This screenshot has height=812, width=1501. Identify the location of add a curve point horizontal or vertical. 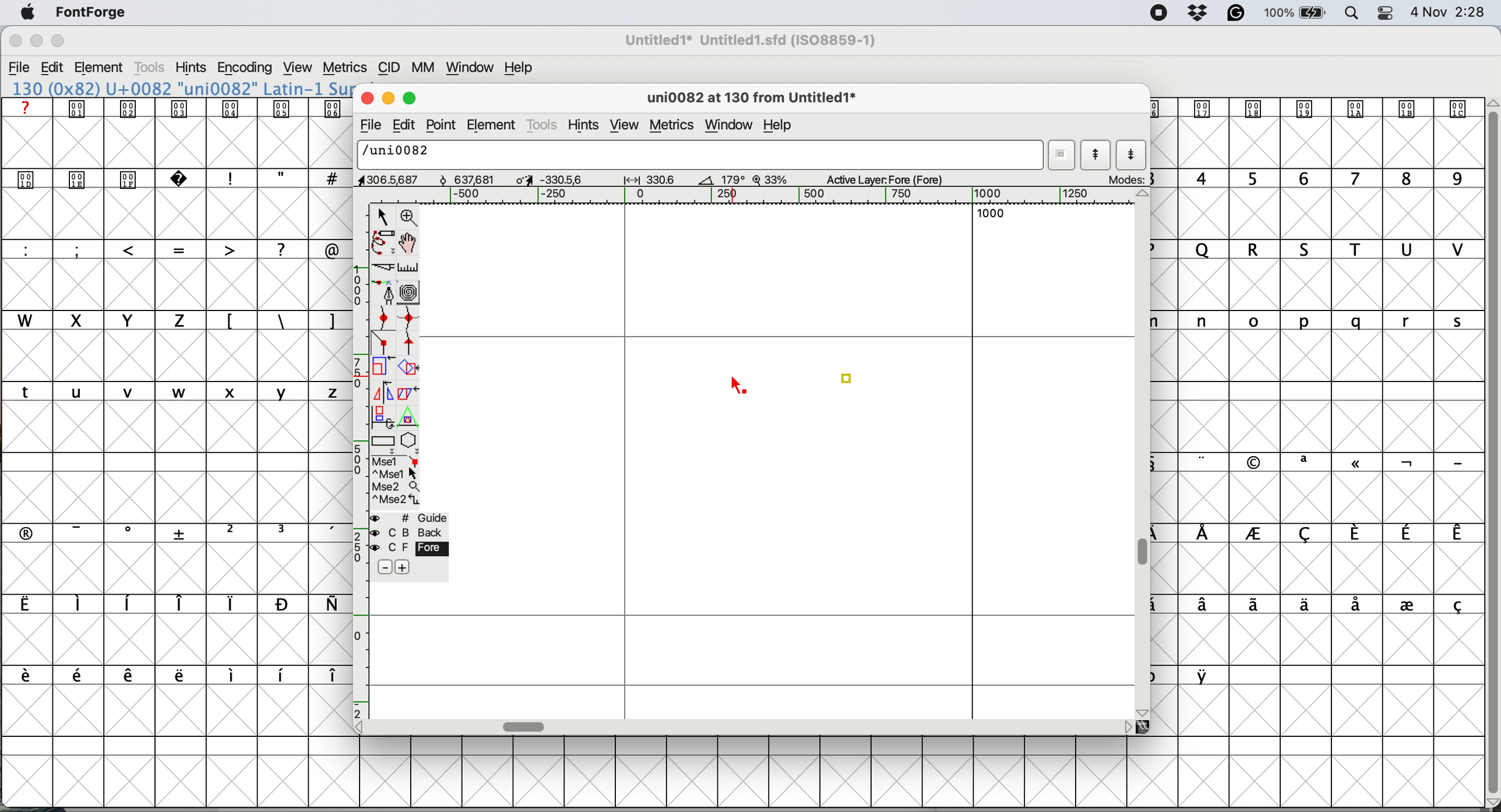
(409, 318).